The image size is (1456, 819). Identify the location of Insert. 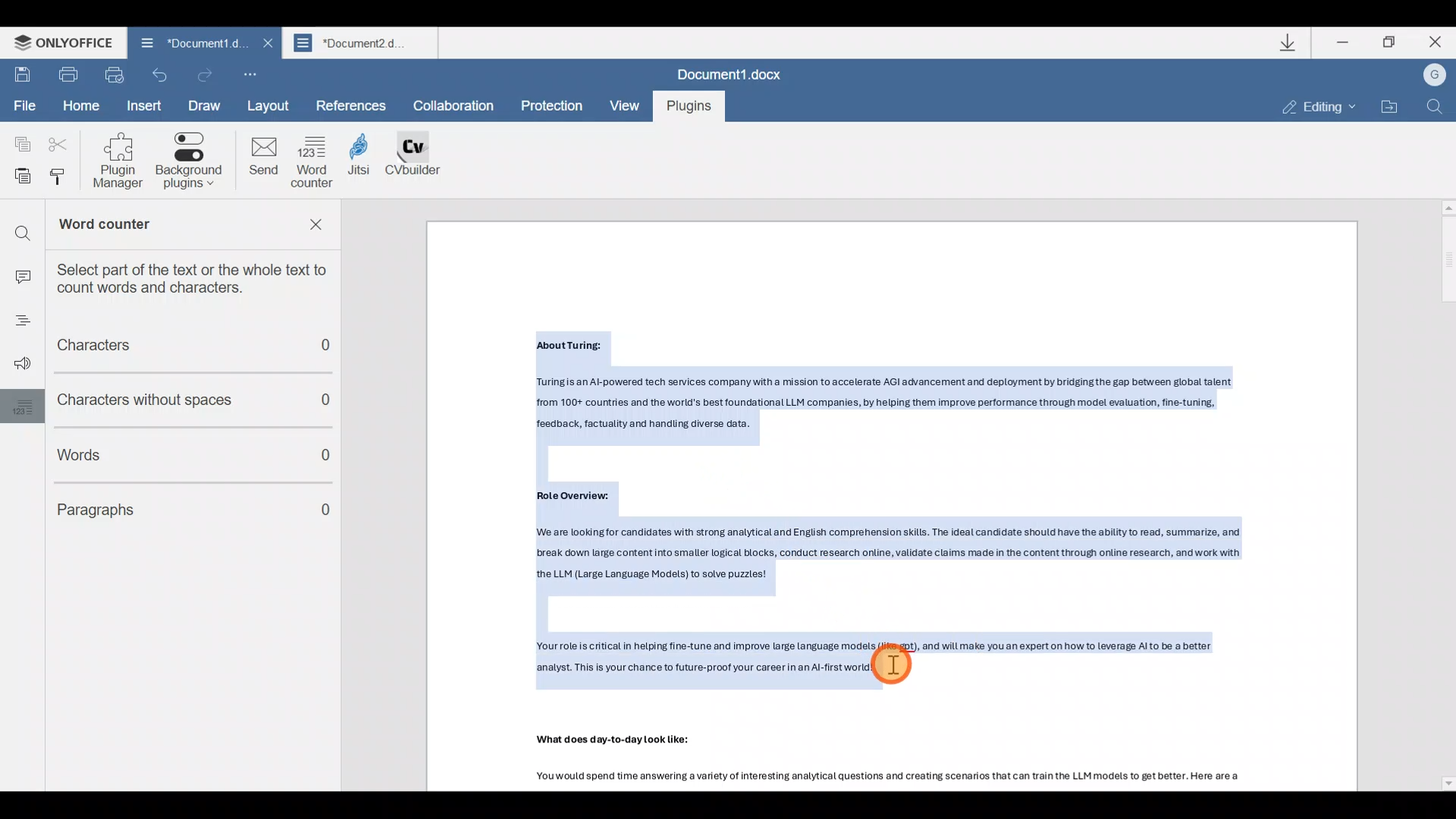
(146, 106).